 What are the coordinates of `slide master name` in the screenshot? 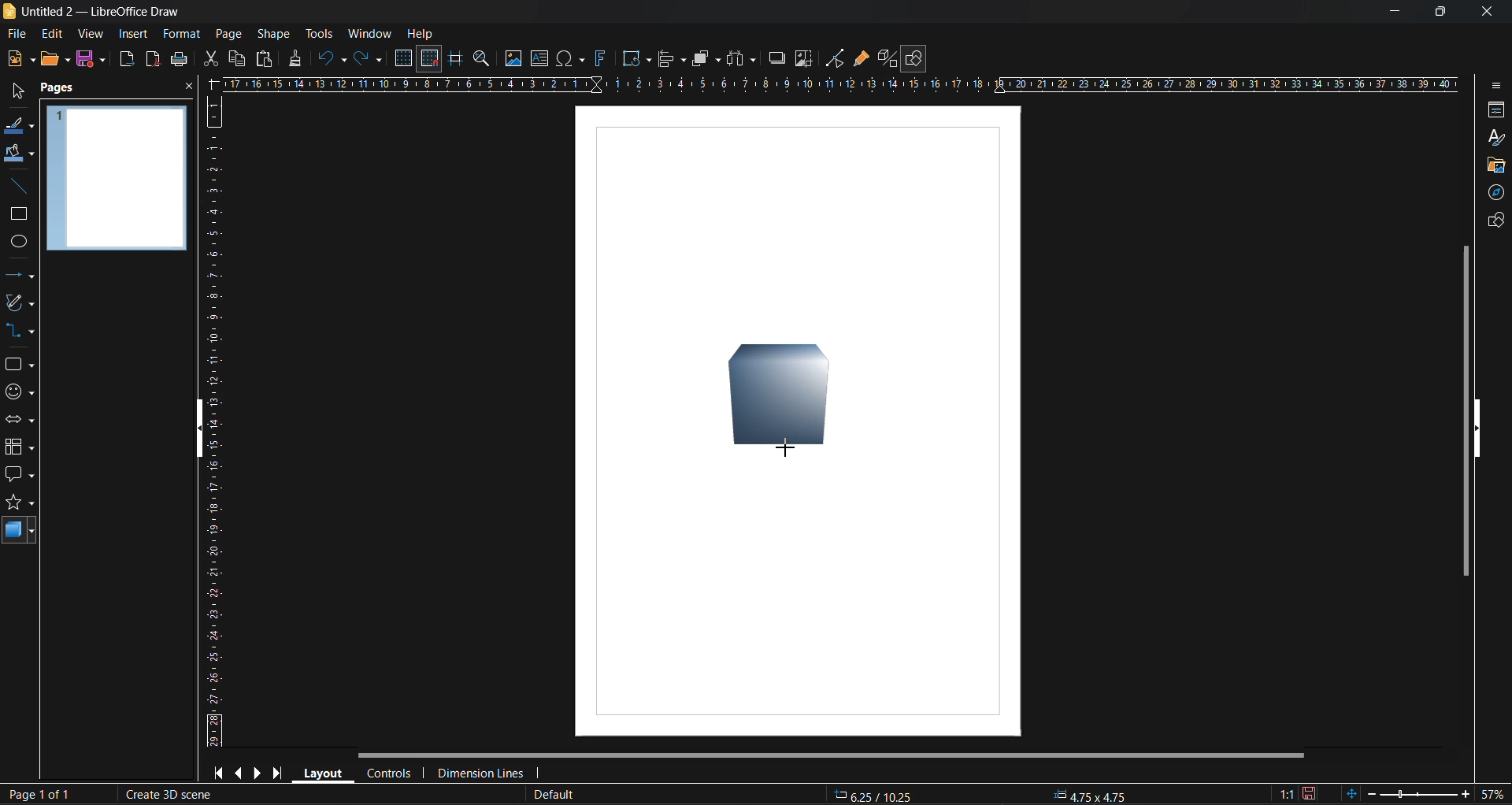 It's located at (555, 795).